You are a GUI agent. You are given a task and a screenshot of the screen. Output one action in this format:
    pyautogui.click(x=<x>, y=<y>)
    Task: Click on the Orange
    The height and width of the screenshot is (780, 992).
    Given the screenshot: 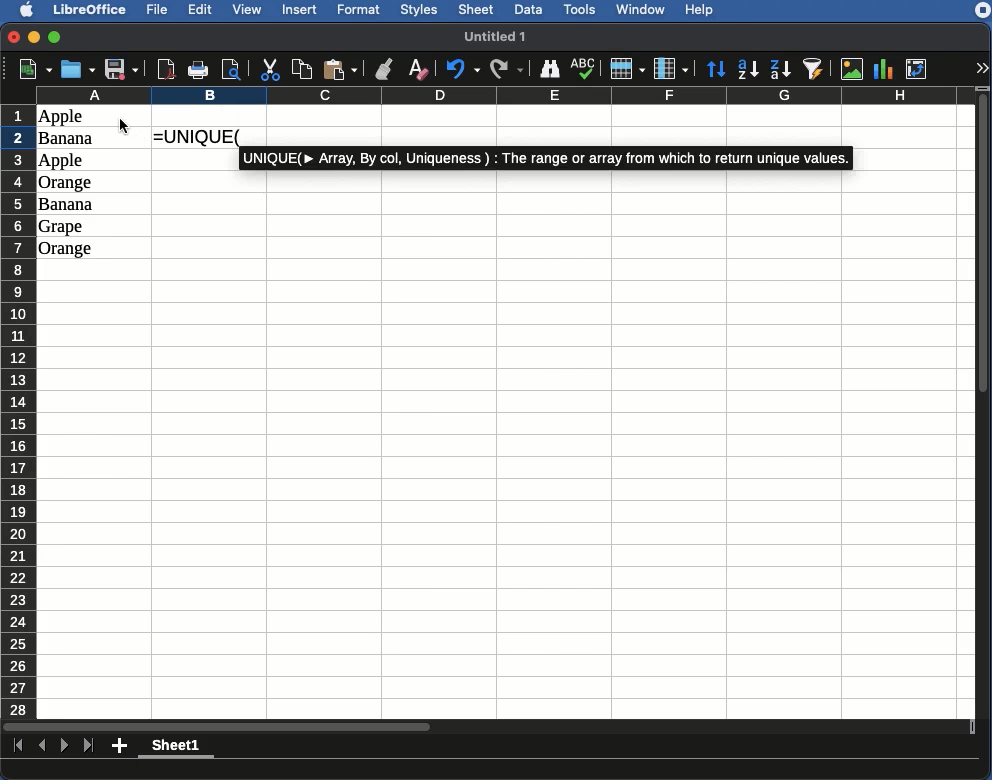 What is the action you would take?
    pyautogui.click(x=67, y=183)
    